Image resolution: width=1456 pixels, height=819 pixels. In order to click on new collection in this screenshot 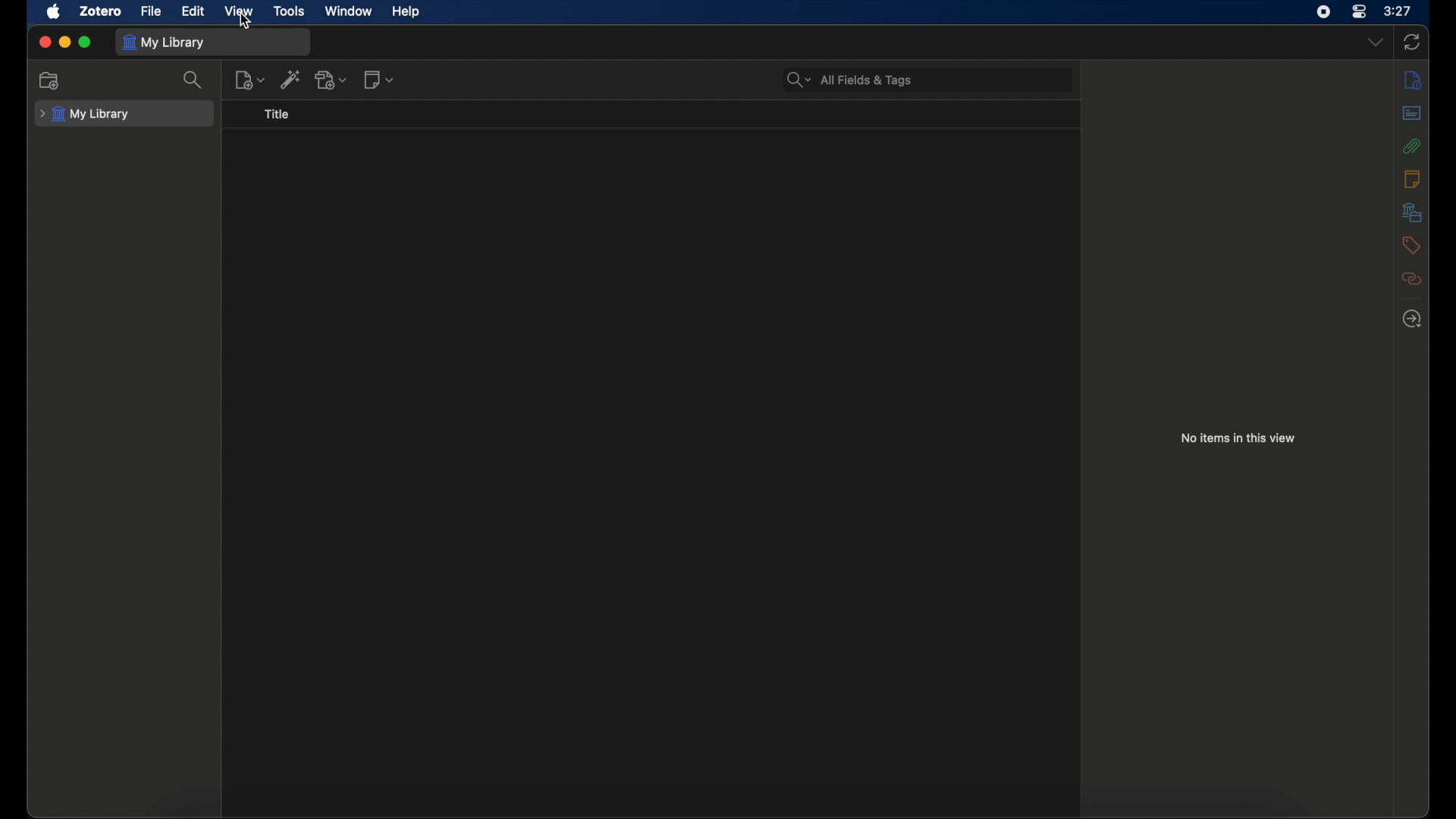, I will do `click(51, 81)`.